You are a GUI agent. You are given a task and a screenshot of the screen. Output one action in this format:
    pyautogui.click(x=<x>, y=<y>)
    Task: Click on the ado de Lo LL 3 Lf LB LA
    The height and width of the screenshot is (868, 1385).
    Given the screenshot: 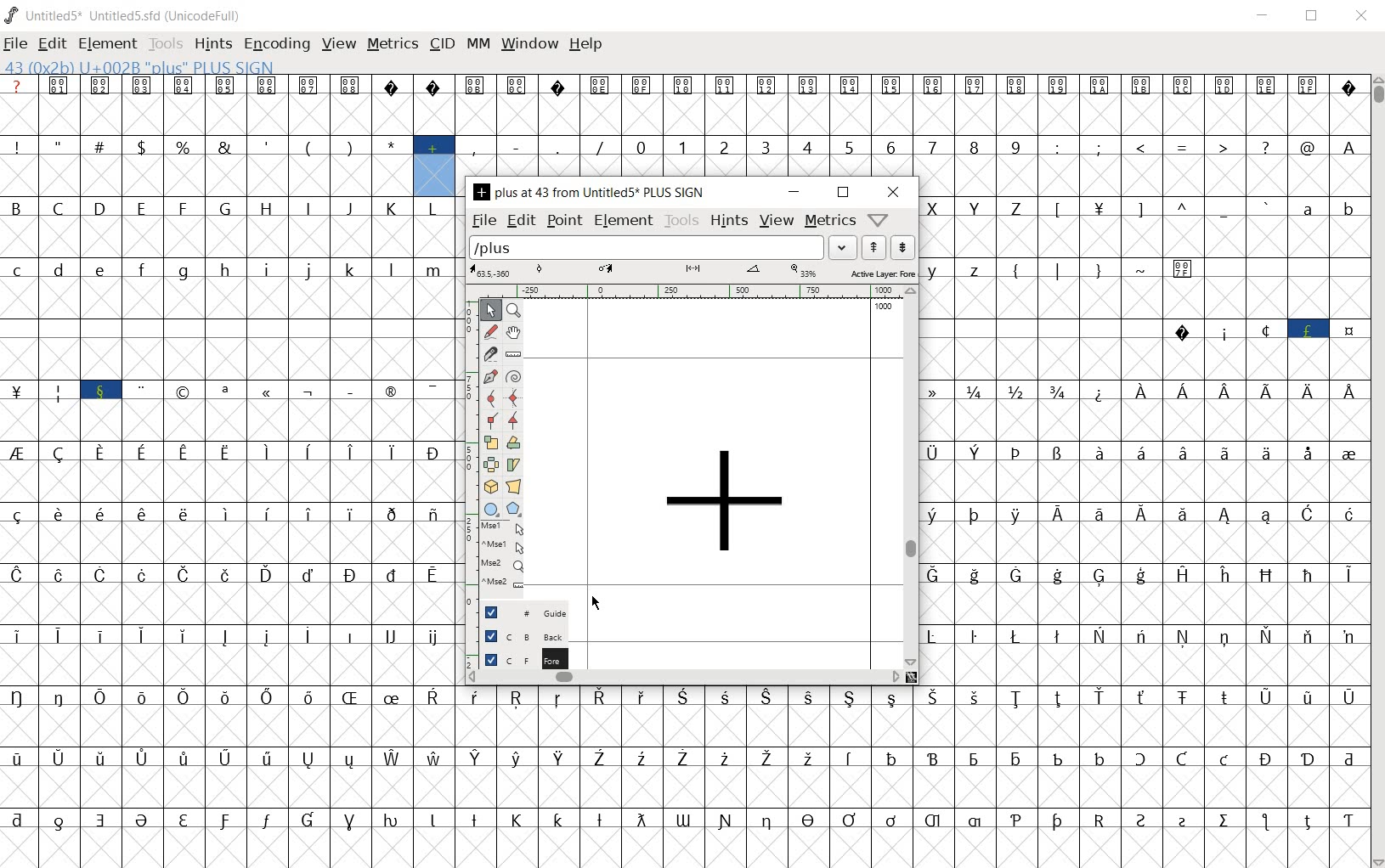 What is the action you would take?
    pyautogui.click(x=1201, y=166)
    